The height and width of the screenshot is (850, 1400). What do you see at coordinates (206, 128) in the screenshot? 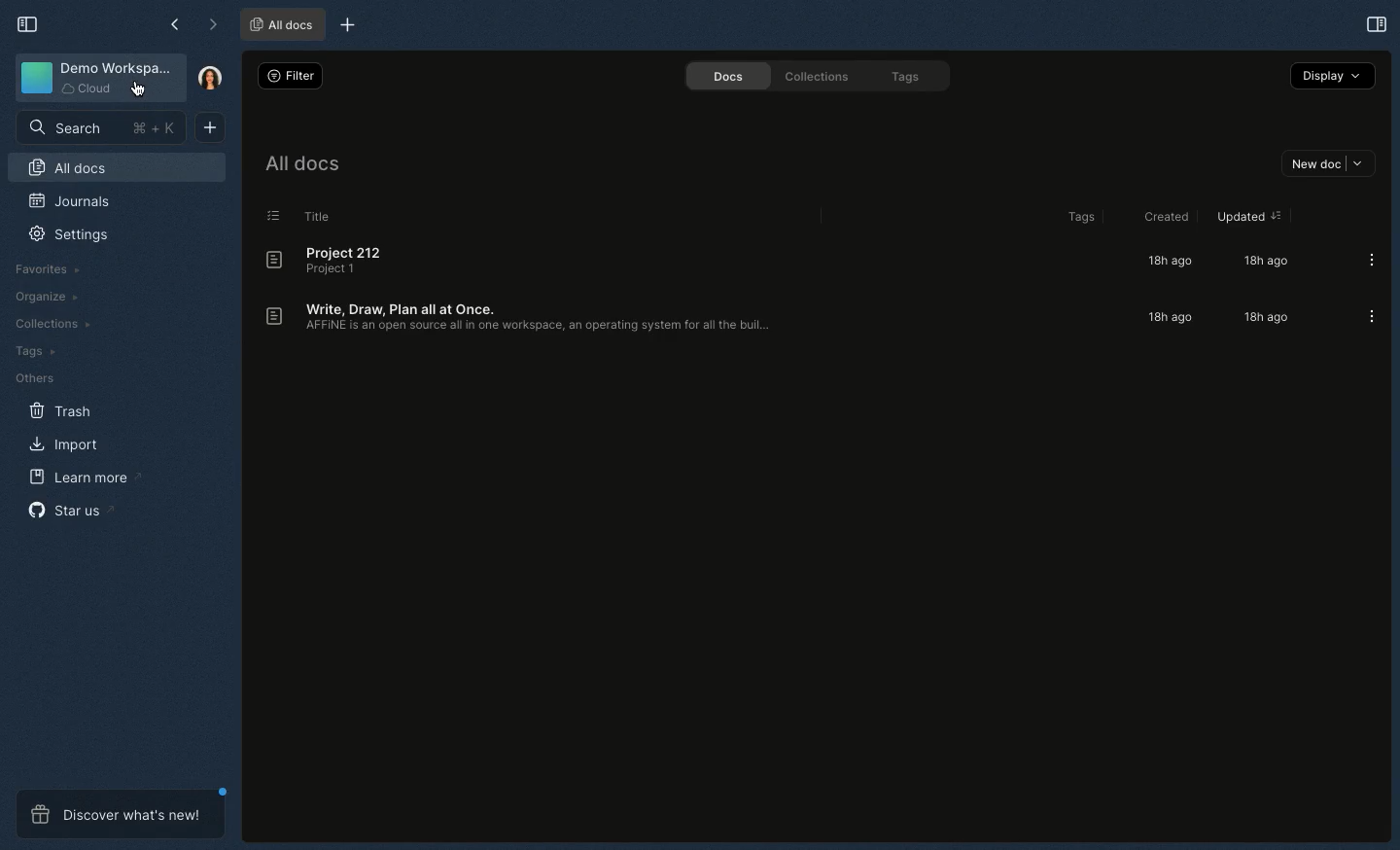
I see `New document` at bounding box center [206, 128].